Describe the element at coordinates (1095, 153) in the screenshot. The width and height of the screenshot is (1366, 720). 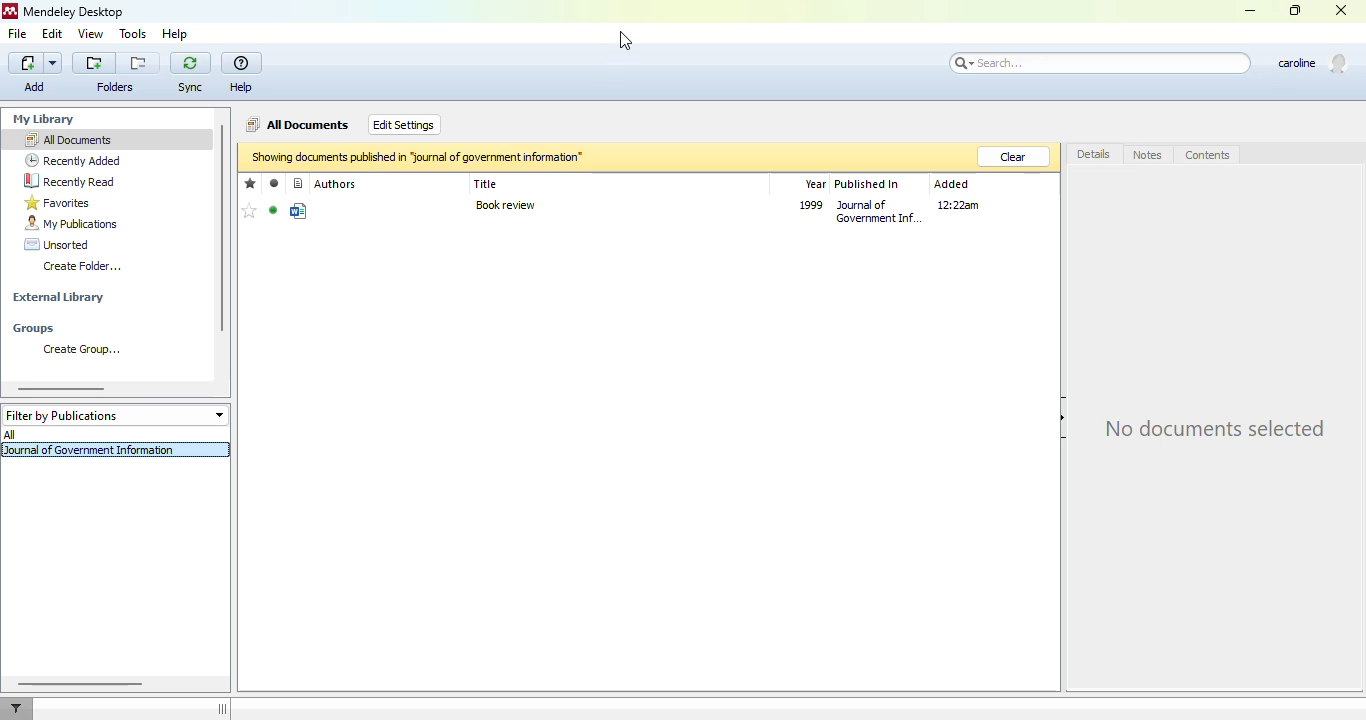
I see `details` at that location.